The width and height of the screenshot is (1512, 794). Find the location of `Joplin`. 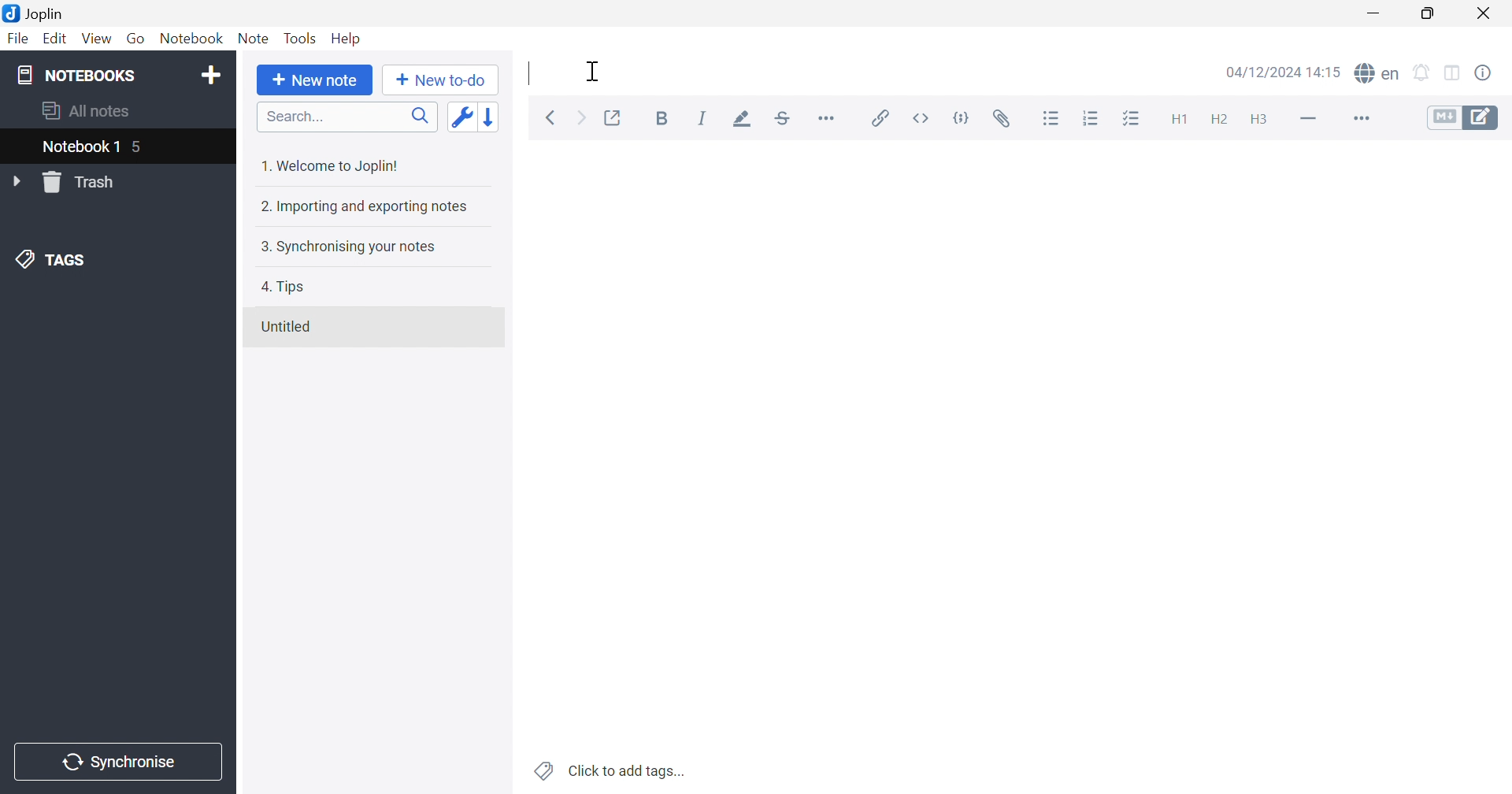

Joplin is located at coordinates (33, 12).